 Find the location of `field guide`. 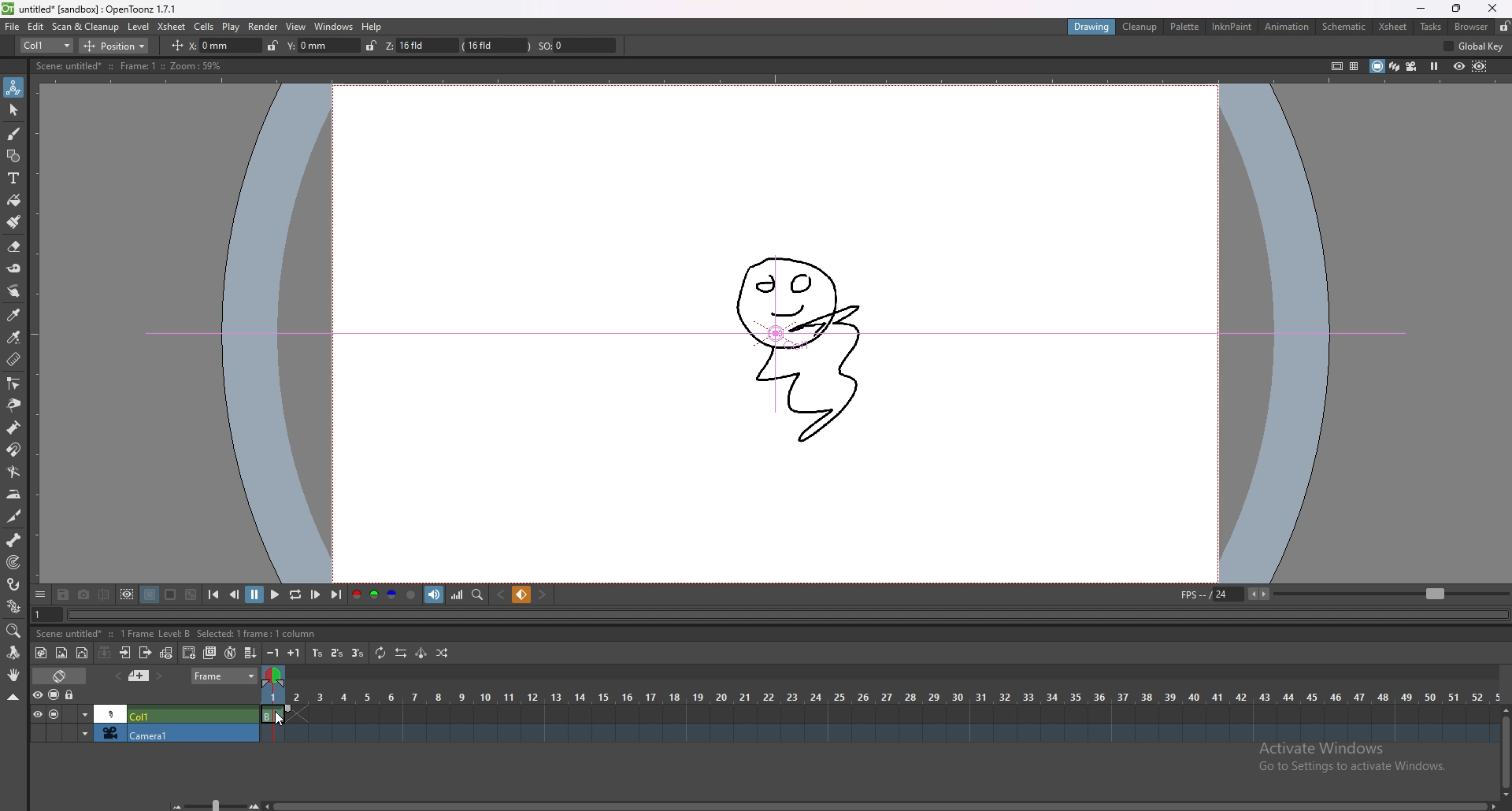

field guide is located at coordinates (1354, 66).